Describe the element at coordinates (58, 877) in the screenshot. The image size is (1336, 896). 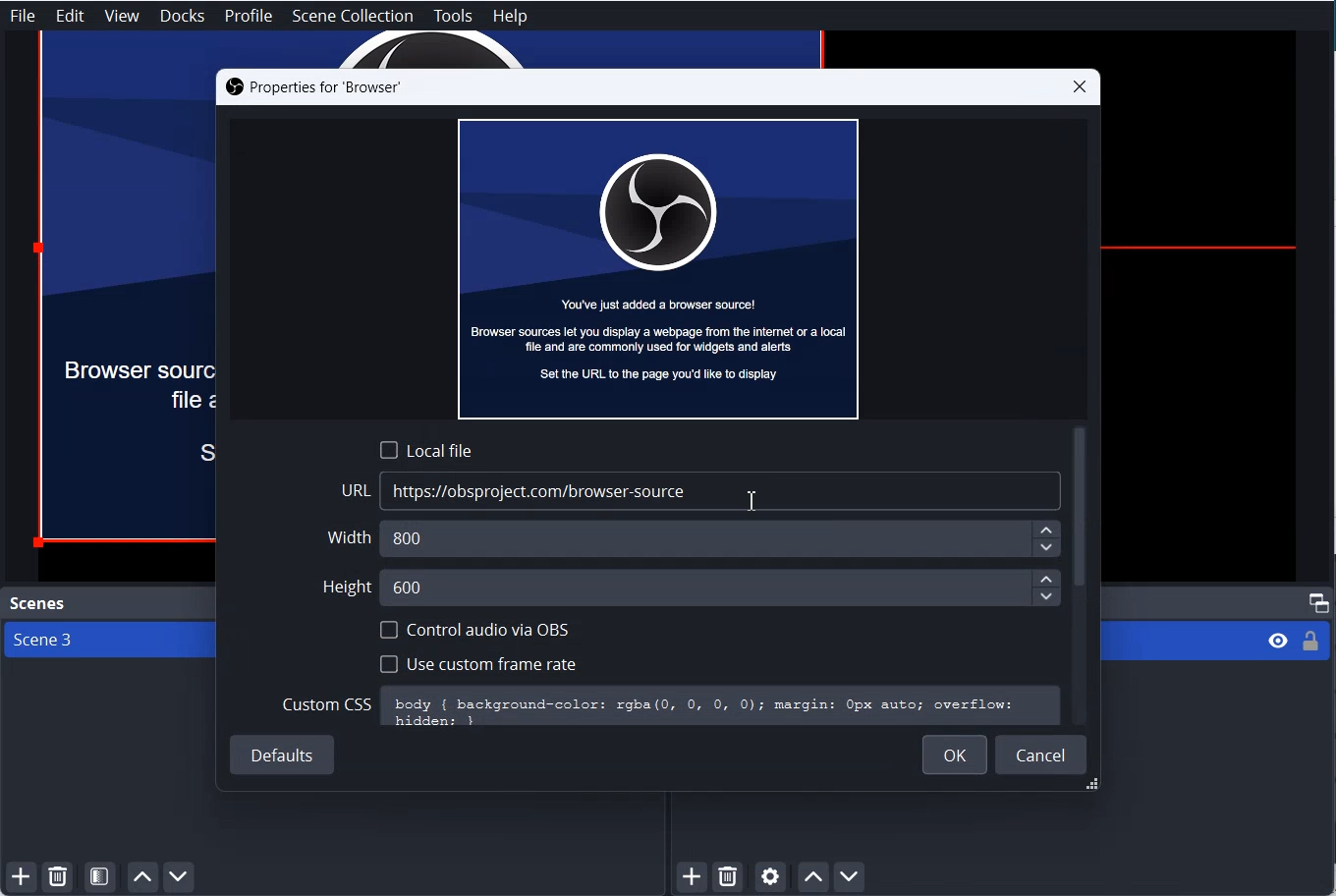
I see `Remove selected Scene` at that location.